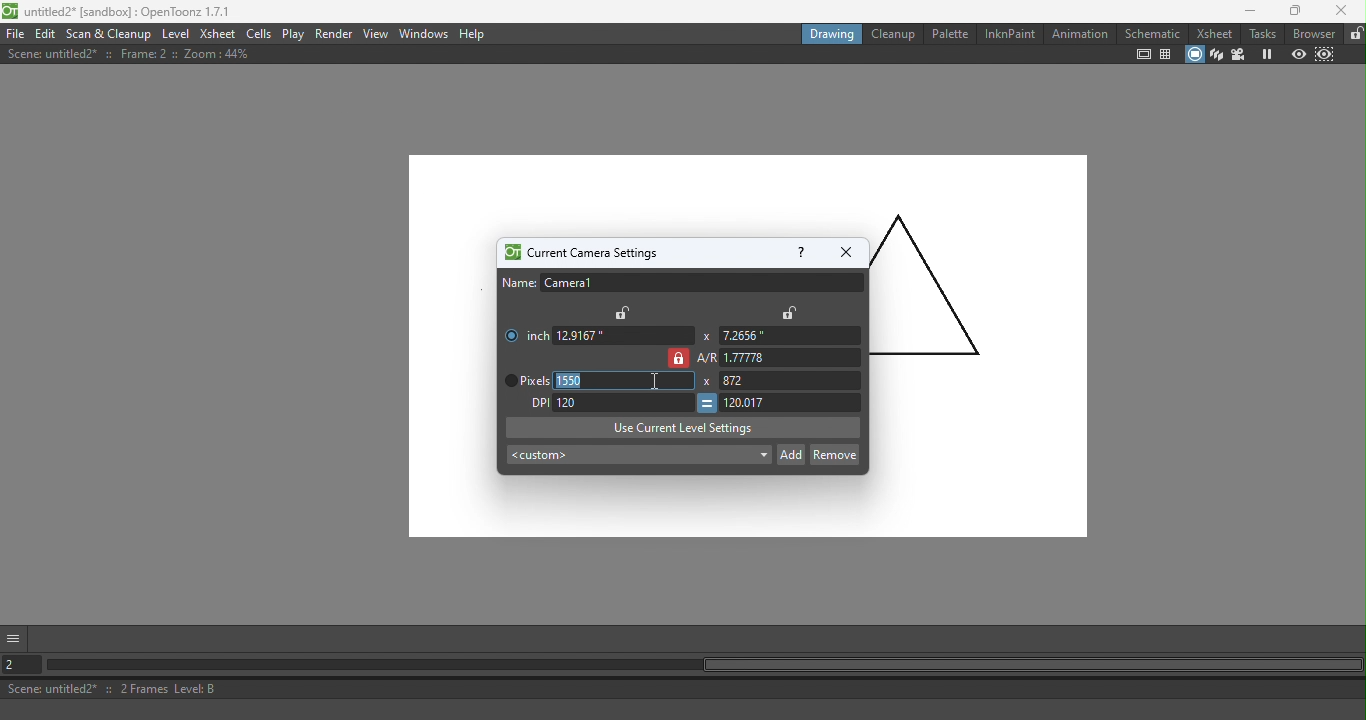  What do you see at coordinates (474, 34) in the screenshot?
I see `Help` at bounding box center [474, 34].